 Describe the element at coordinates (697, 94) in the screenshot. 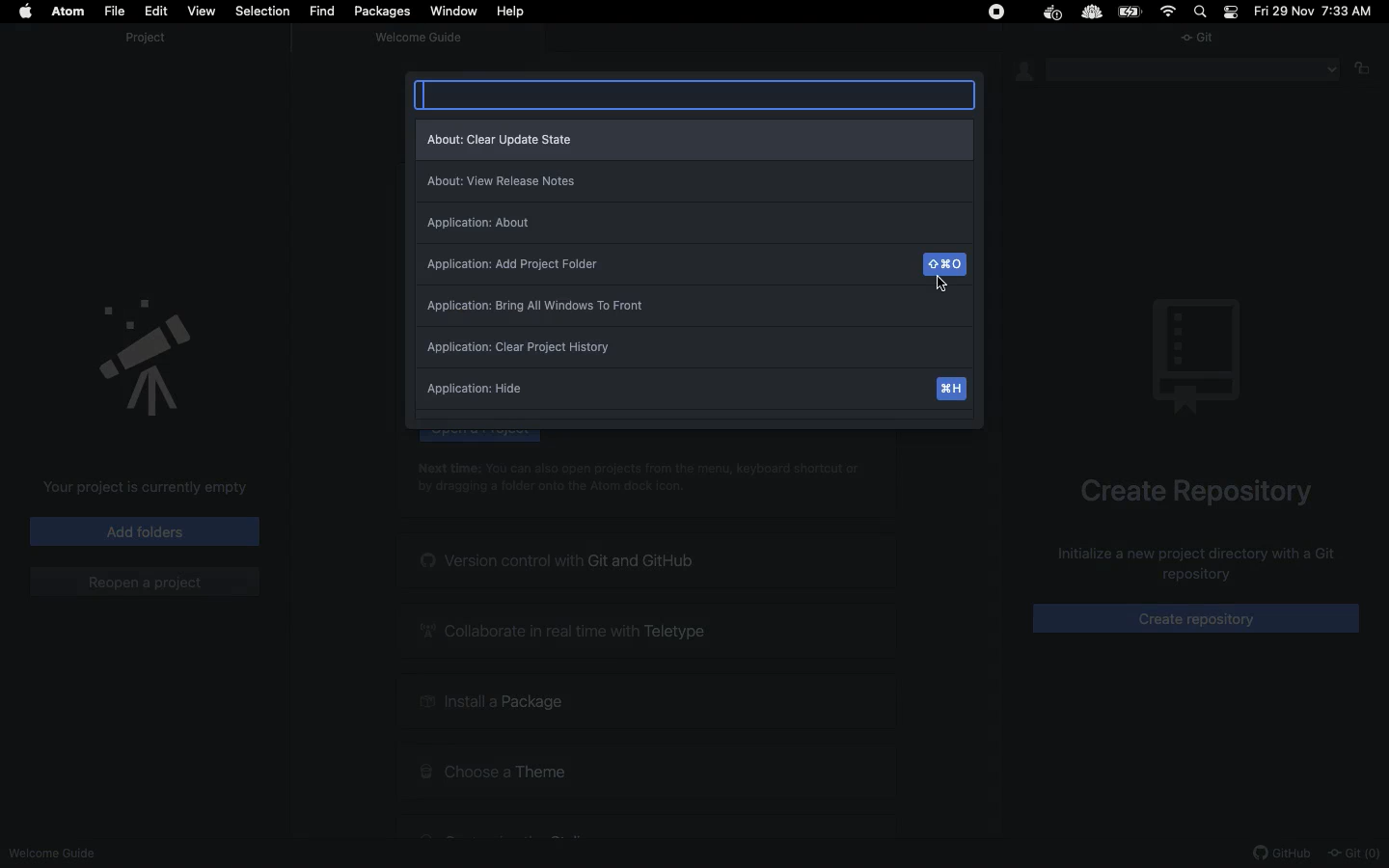

I see `Toggle Command Palett` at that location.